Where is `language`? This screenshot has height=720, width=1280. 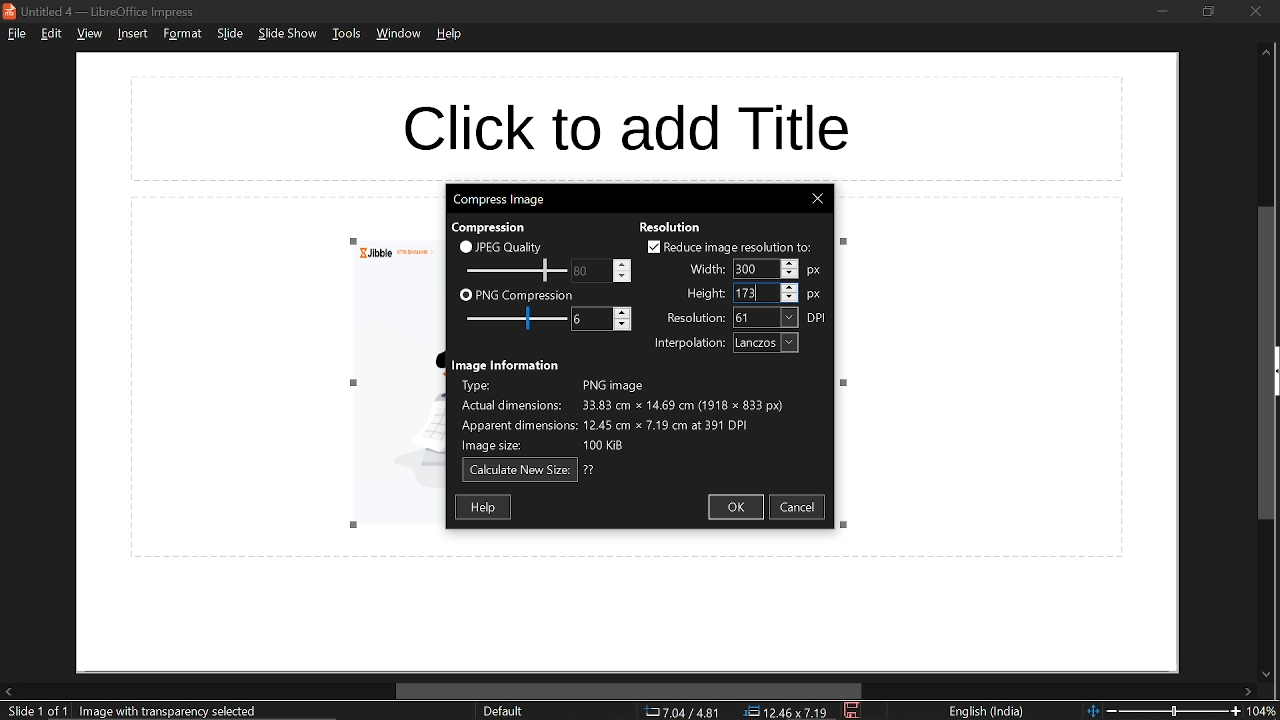 language is located at coordinates (989, 712).